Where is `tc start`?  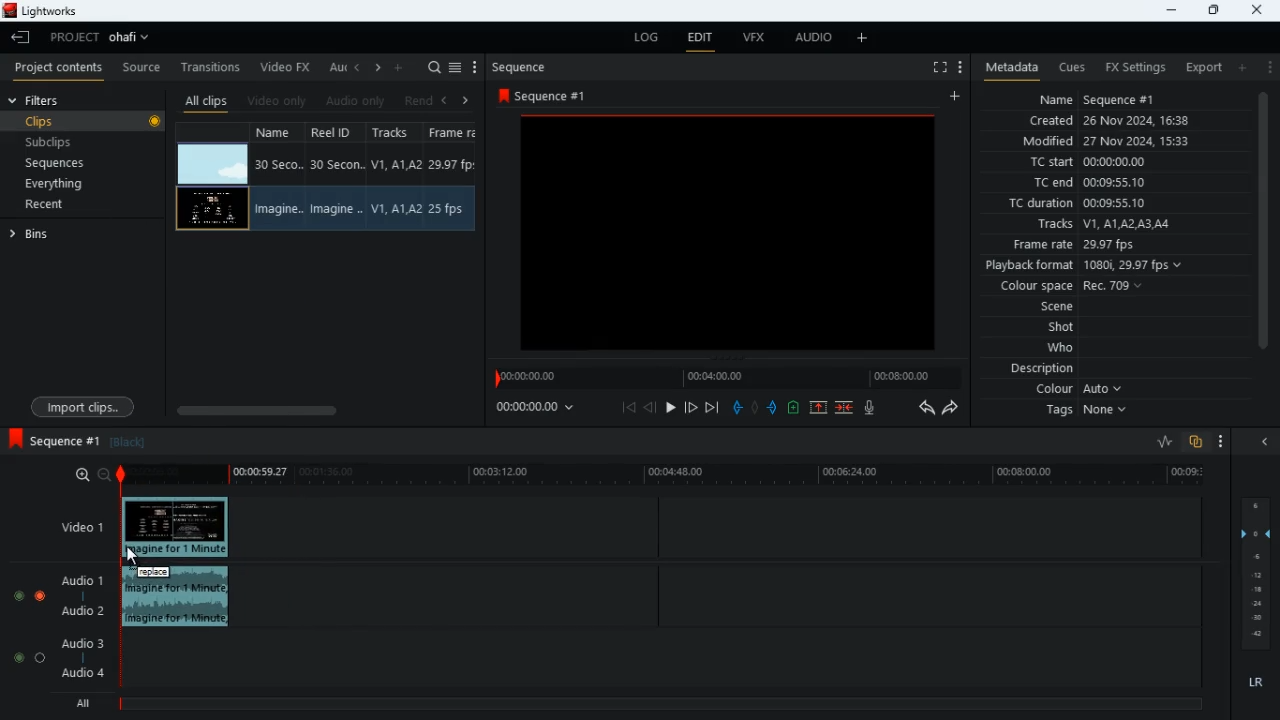 tc start is located at coordinates (1118, 163).